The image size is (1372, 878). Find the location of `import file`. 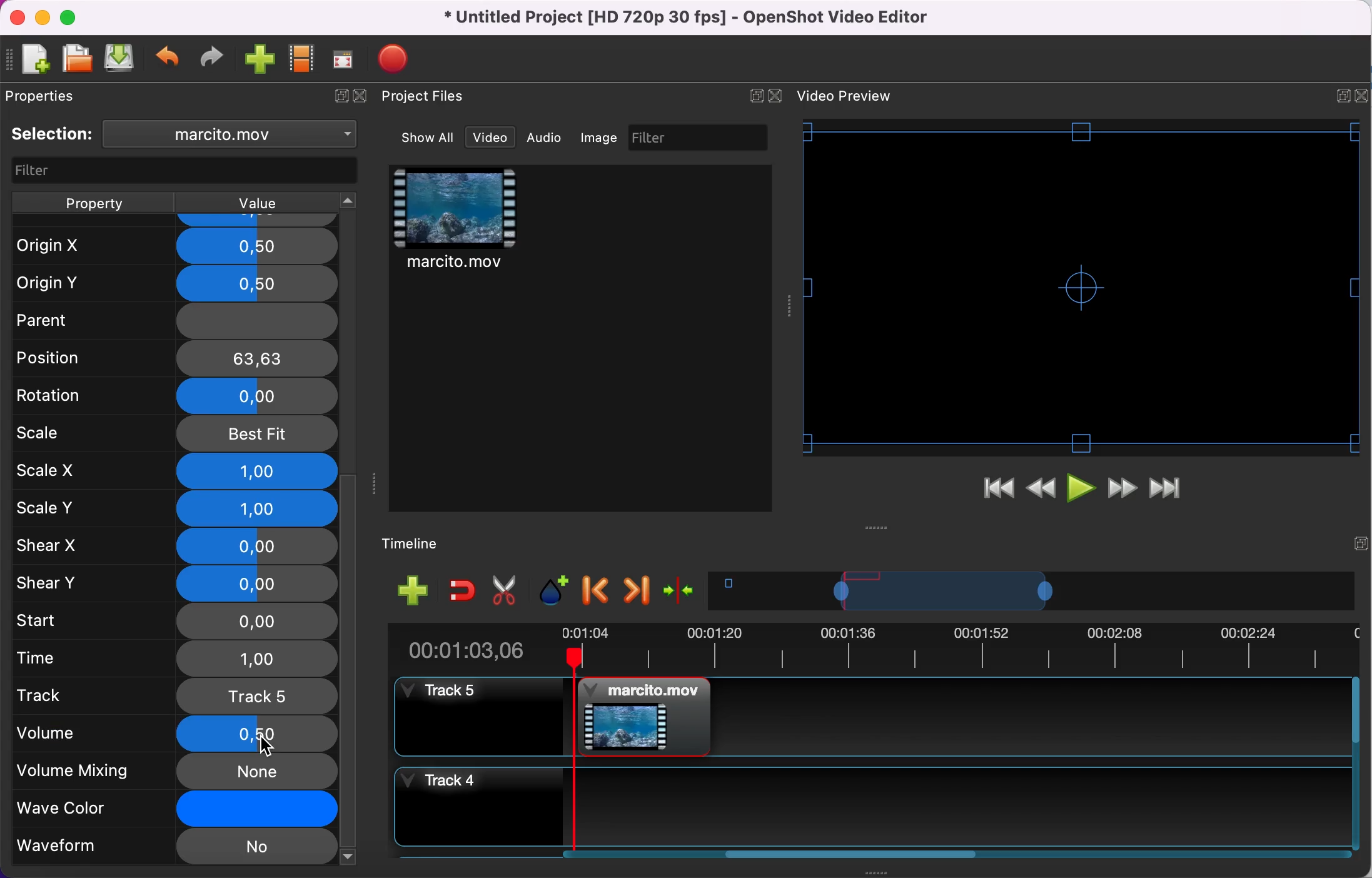

import file is located at coordinates (261, 60).